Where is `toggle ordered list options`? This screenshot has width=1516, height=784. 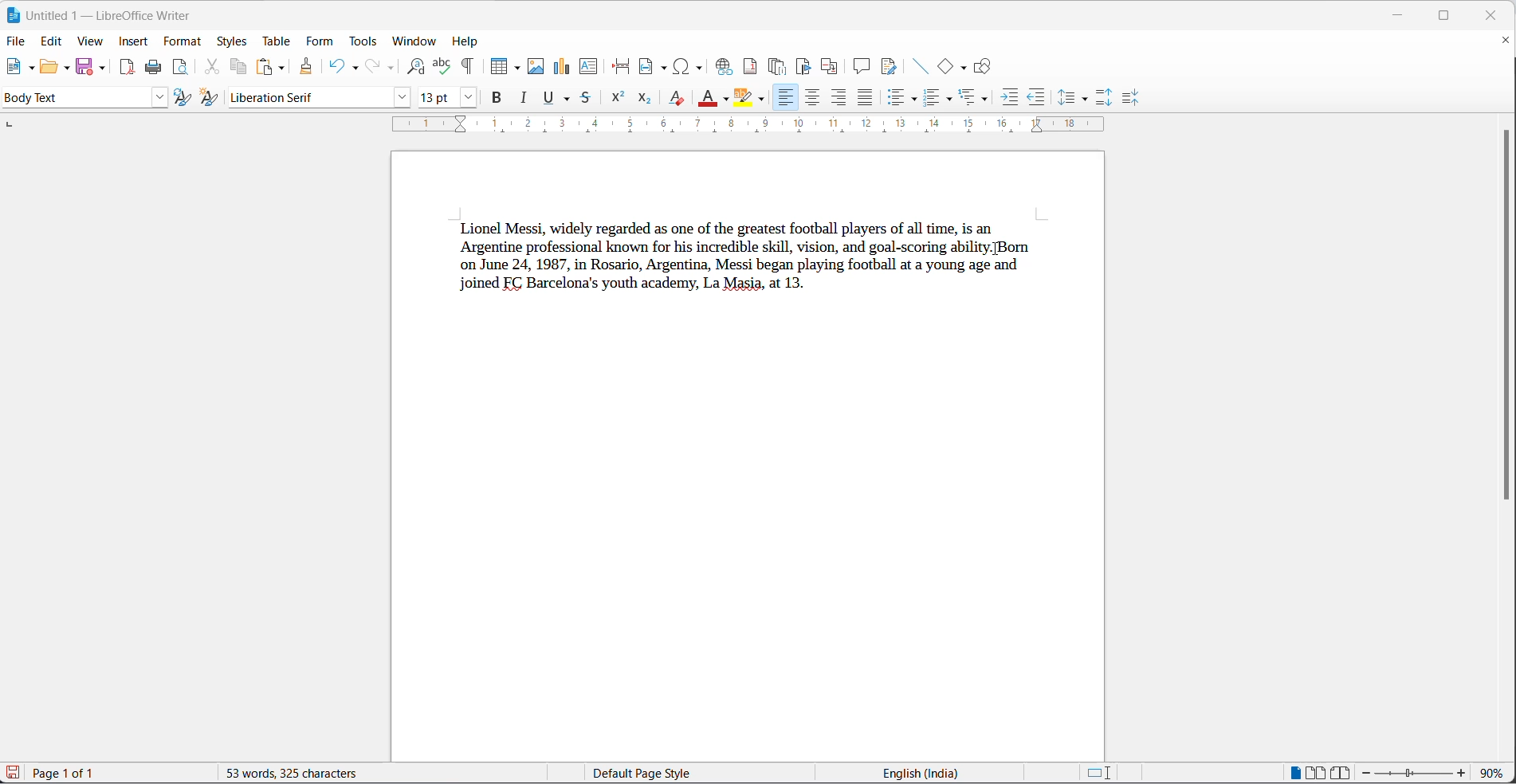
toggle ordered list options is located at coordinates (949, 101).